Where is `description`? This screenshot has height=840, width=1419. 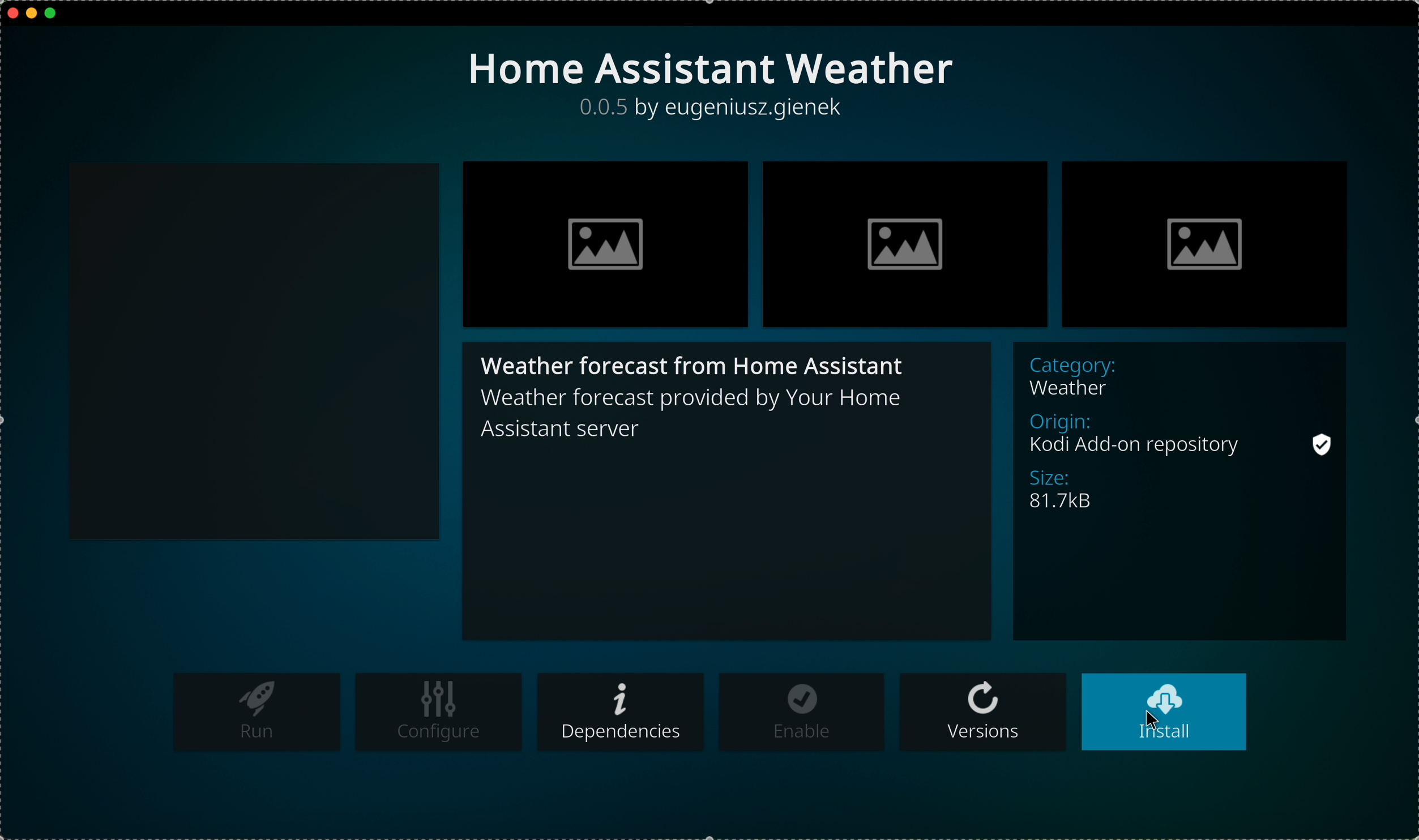
description is located at coordinates (724, 494).